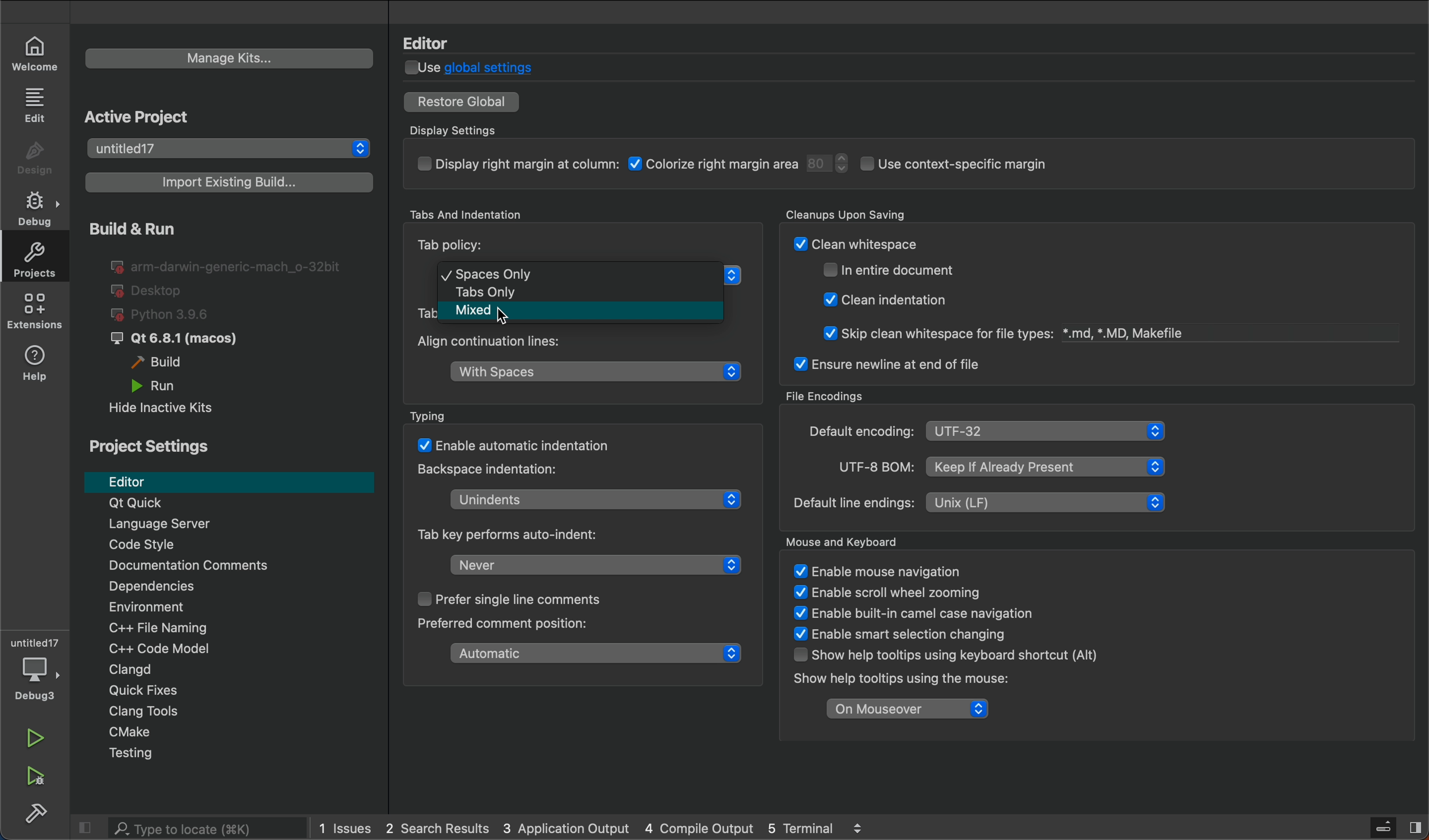 The height and width of the screenshot is (840, 1429). I want to click on Split button, so click(1418, 824).